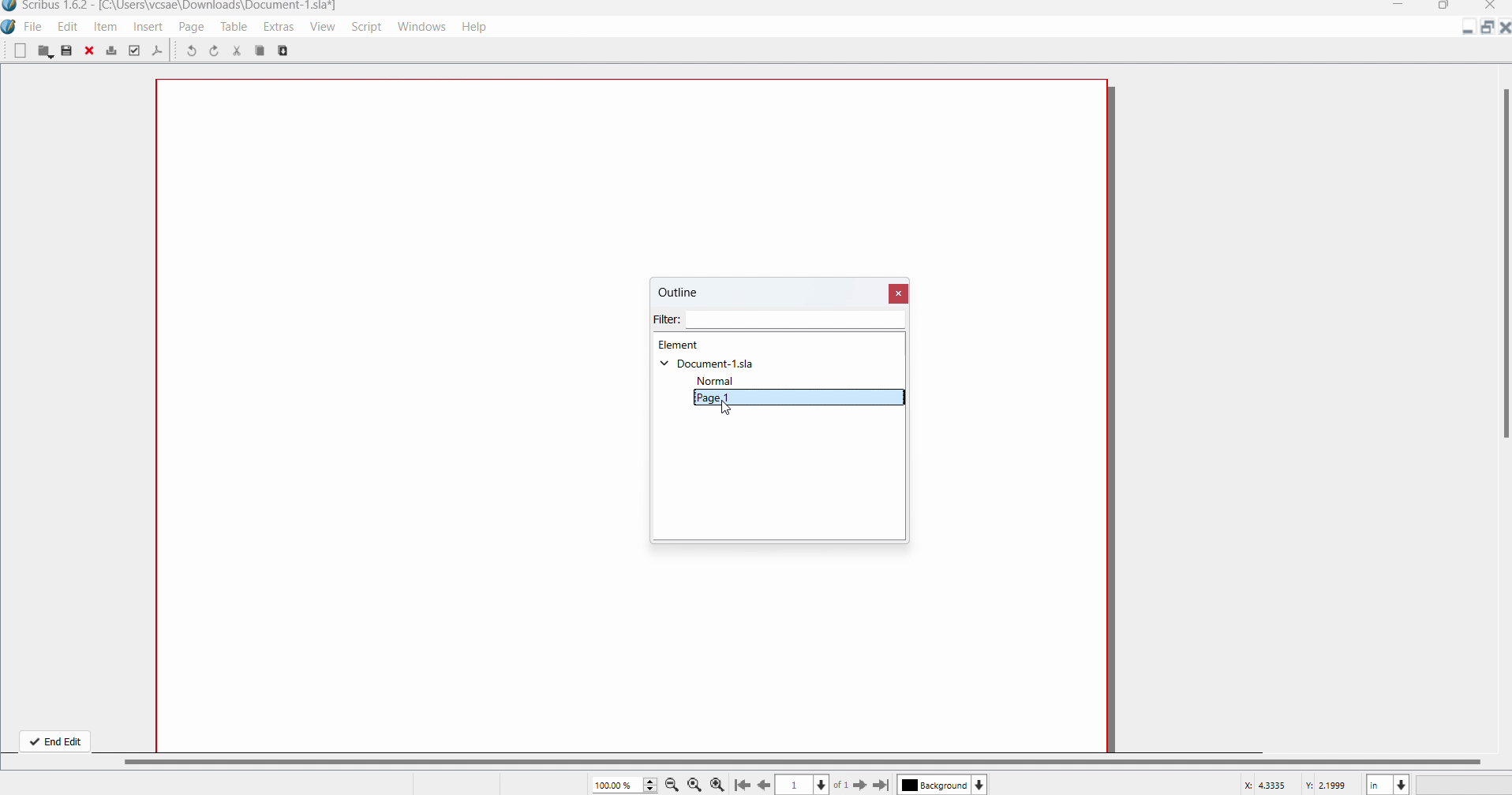 This screenshot has height=795, width=1512. I want to click on , so click(91, 50).